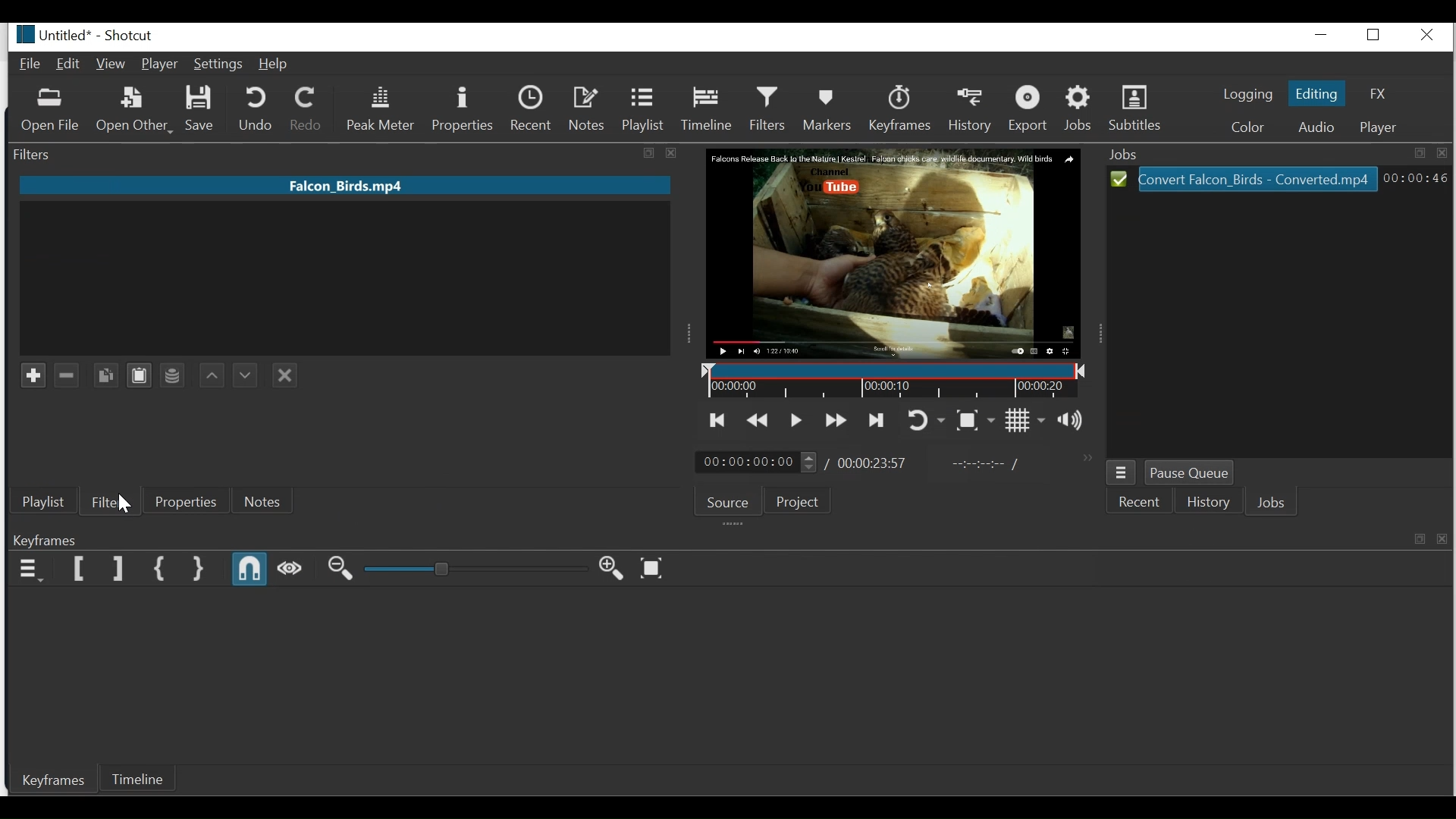 The image size is (1456, 819). What do you see at coordinates (1025, 419) in the screenshot?
I see `Toggle grid display on the player` at bounding box center [1025, 419].